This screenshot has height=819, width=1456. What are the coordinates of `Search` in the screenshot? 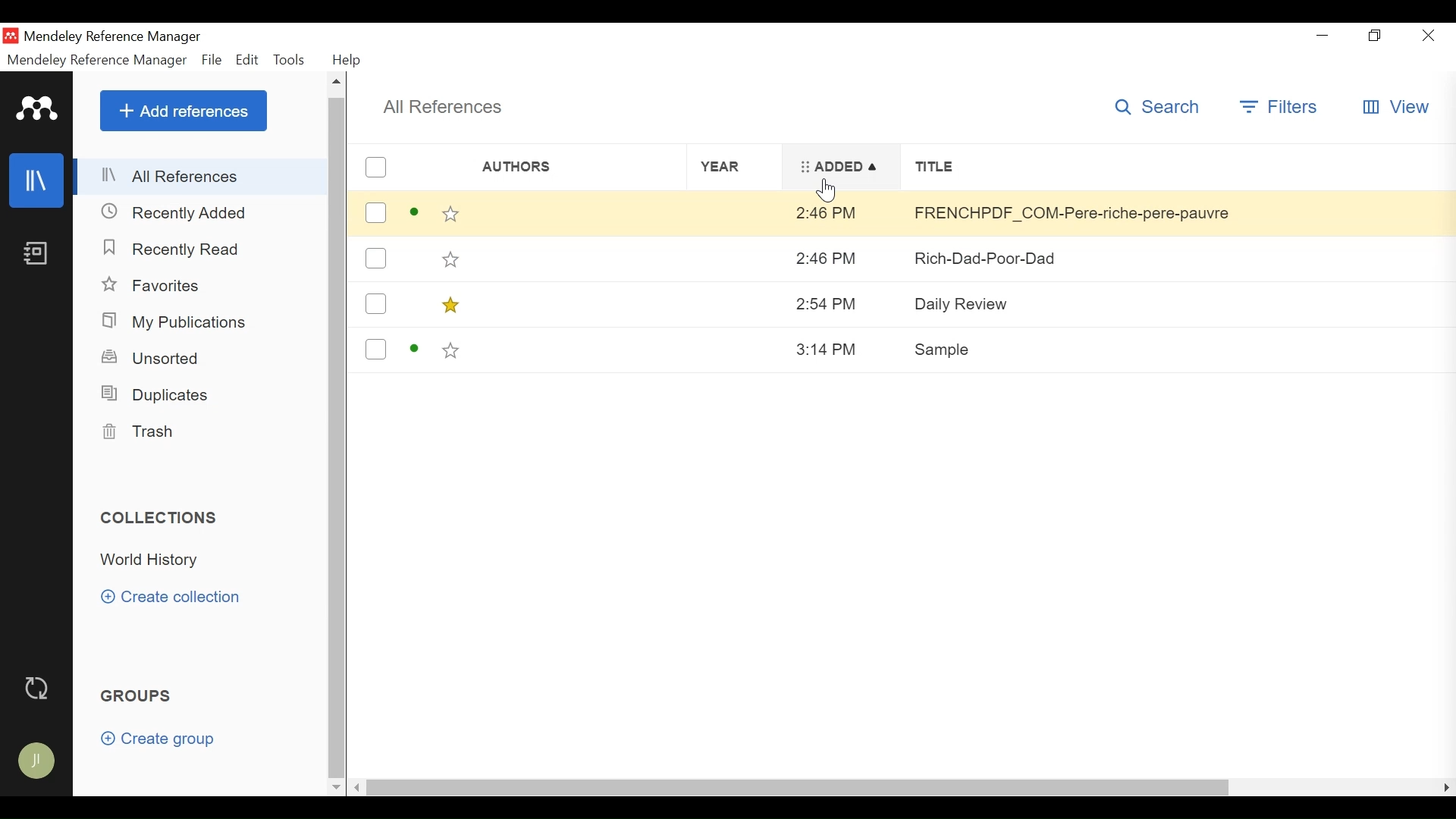 It's located at (1157, 106).